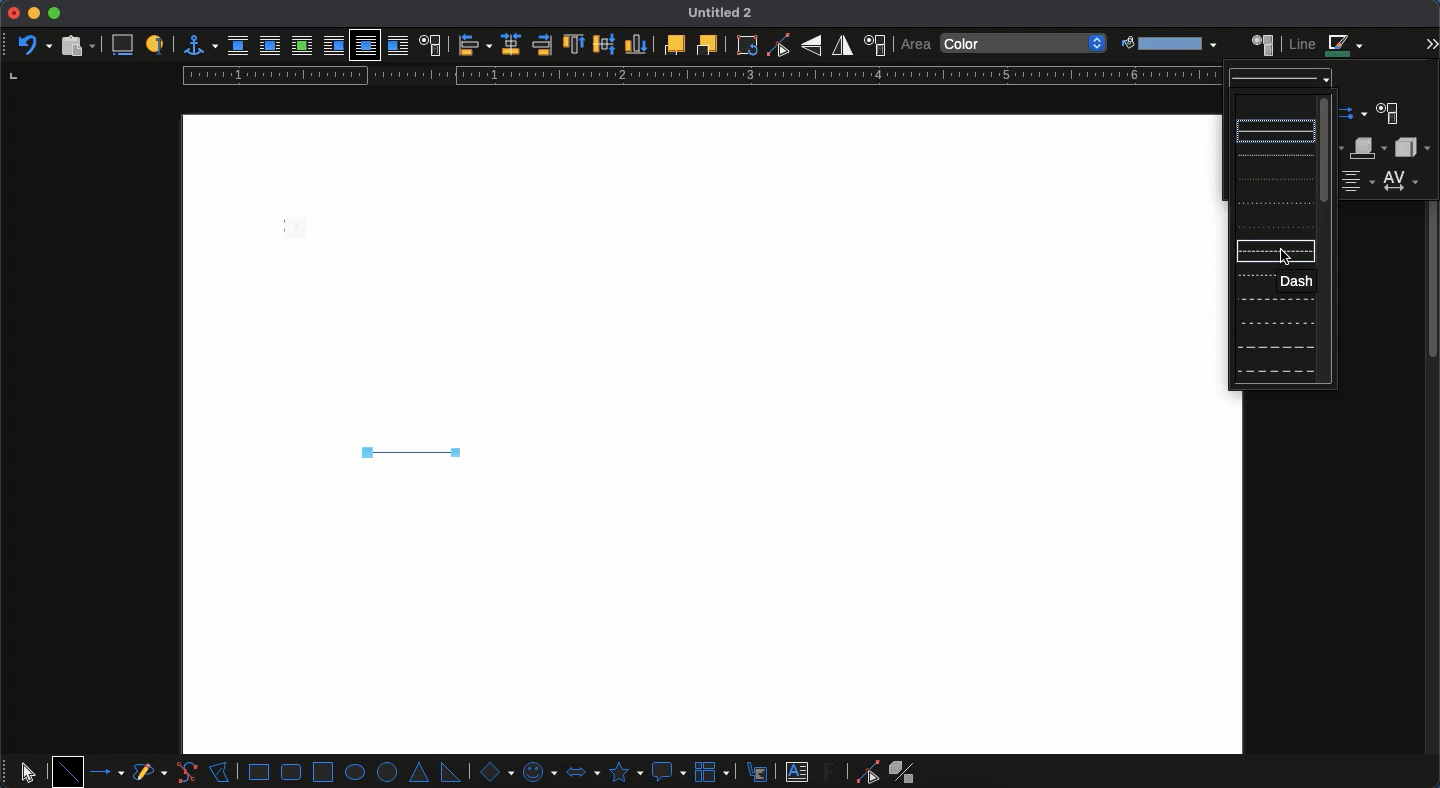 This screenshot has height=788, width=1440. Describe the element at coordinates (1275, 325) in the screenshot. I see `Long dash (rounded)` at that location.